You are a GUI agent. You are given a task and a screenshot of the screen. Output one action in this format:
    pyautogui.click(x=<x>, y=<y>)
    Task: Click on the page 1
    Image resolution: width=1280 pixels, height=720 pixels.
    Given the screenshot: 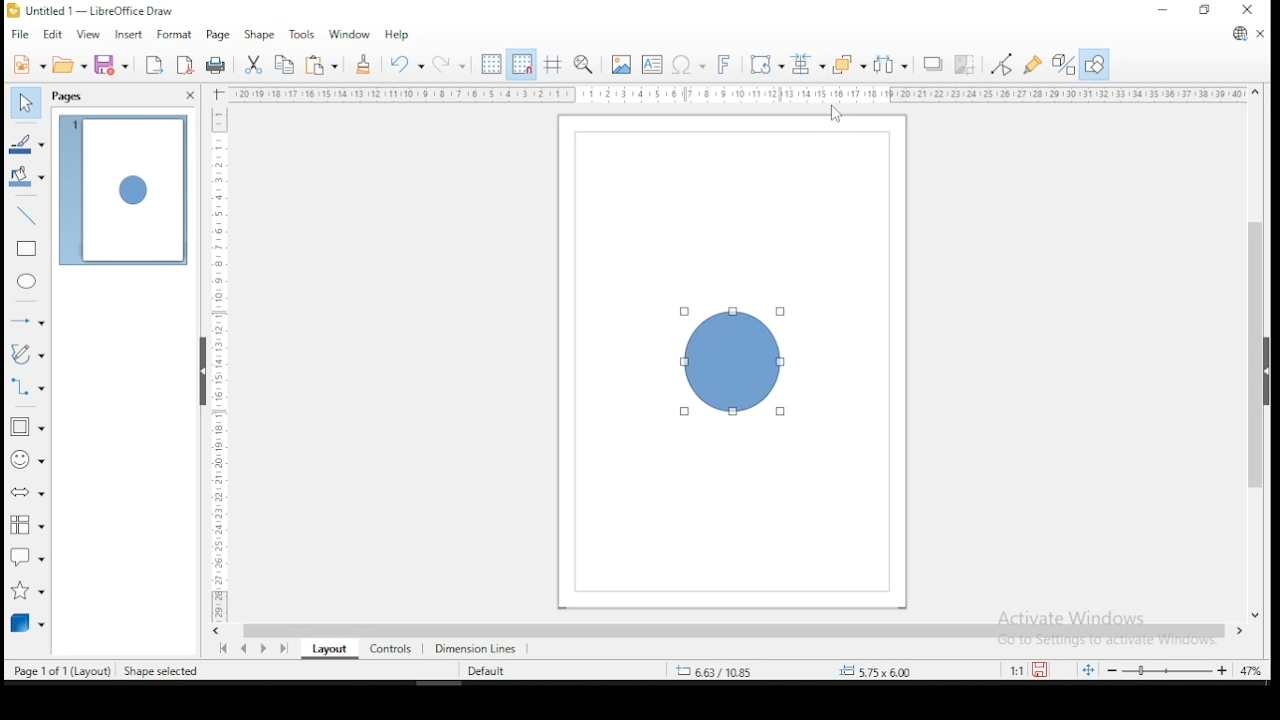 What is the action you would take?
    pyautogui.click(x=124, y=191)
    